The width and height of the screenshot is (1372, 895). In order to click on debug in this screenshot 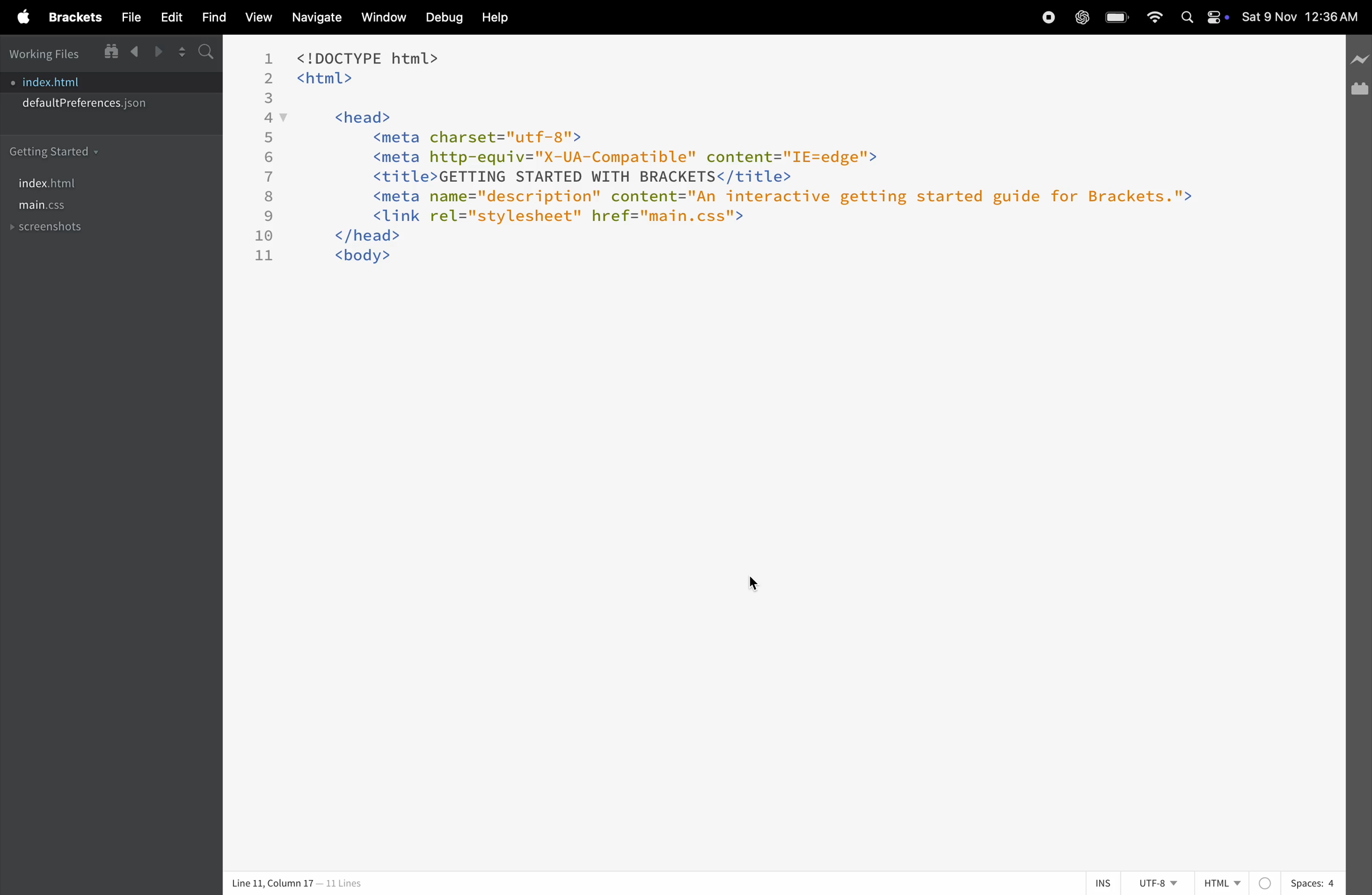, I will do `click(441, 17)`.